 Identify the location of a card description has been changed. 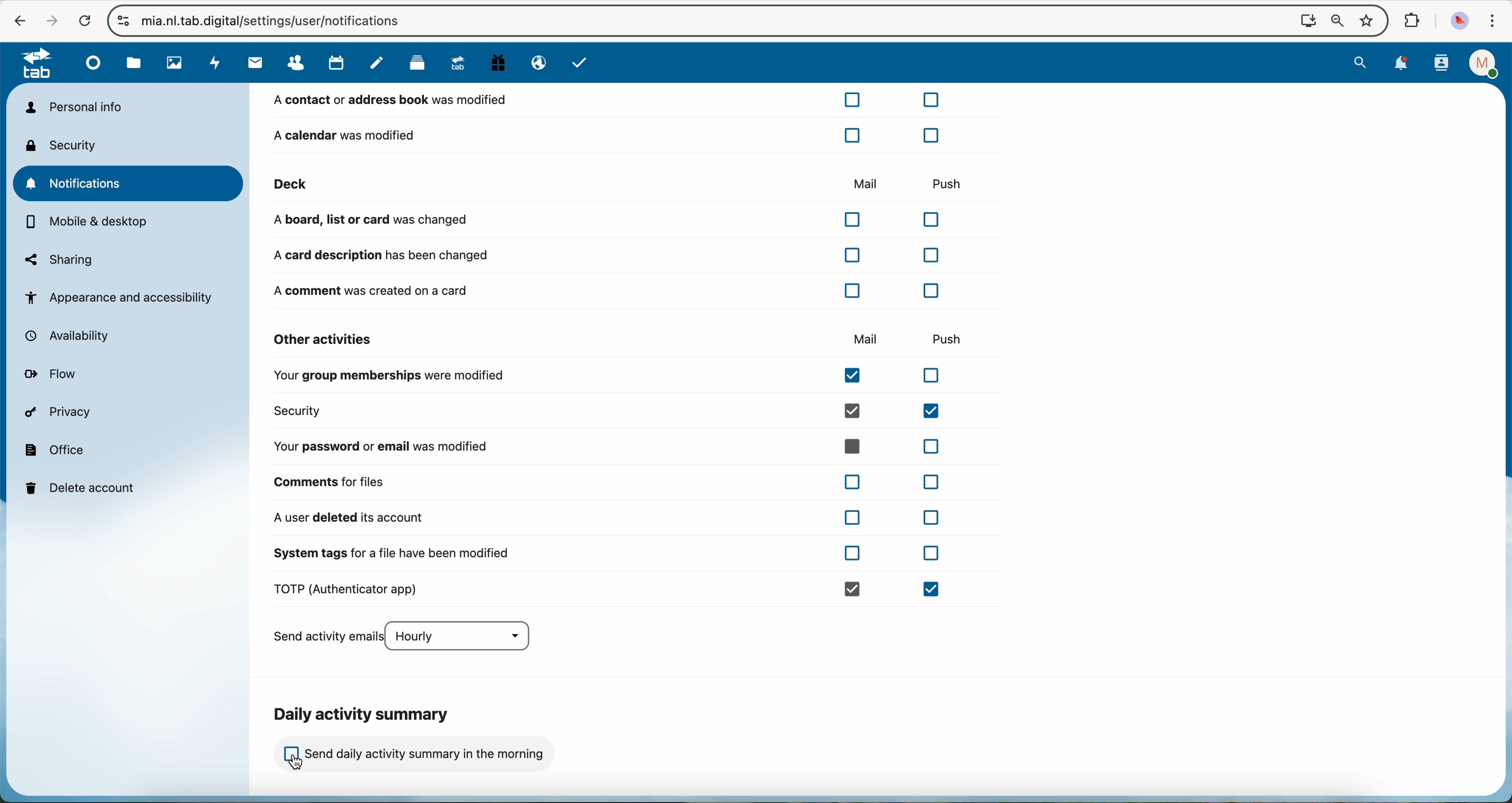
(606, 255).